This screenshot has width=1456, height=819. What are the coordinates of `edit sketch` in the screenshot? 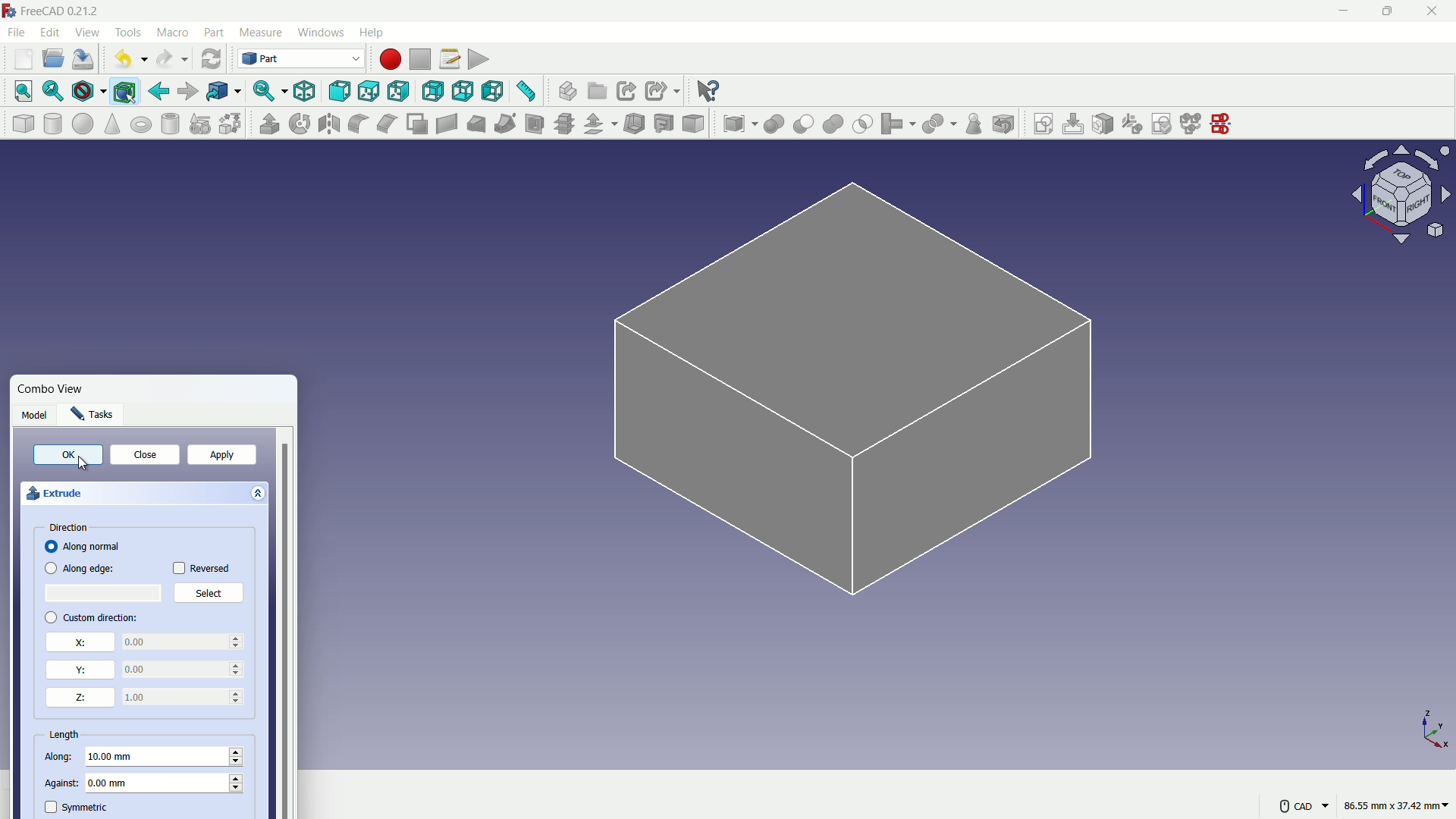 It's located at (1072, 124).